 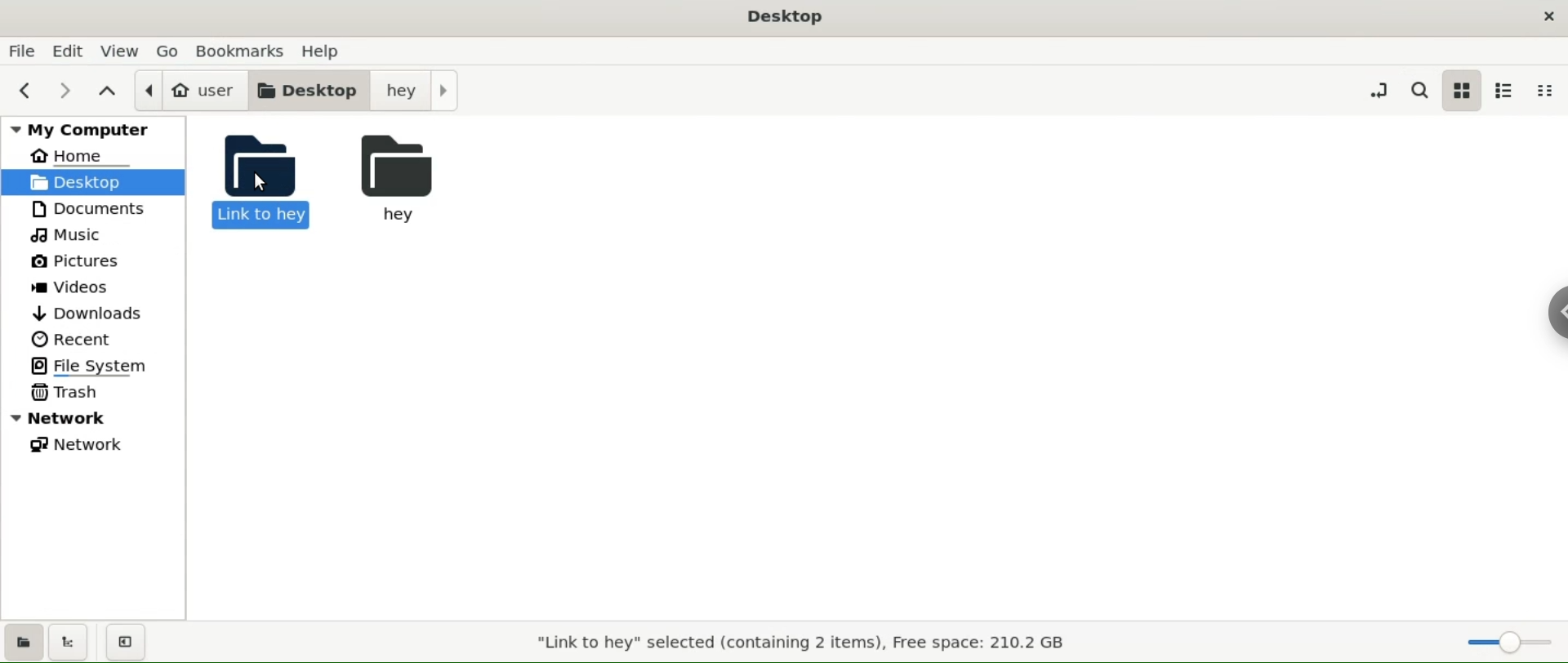 I want to click on show places, so click(x=24, y=645).